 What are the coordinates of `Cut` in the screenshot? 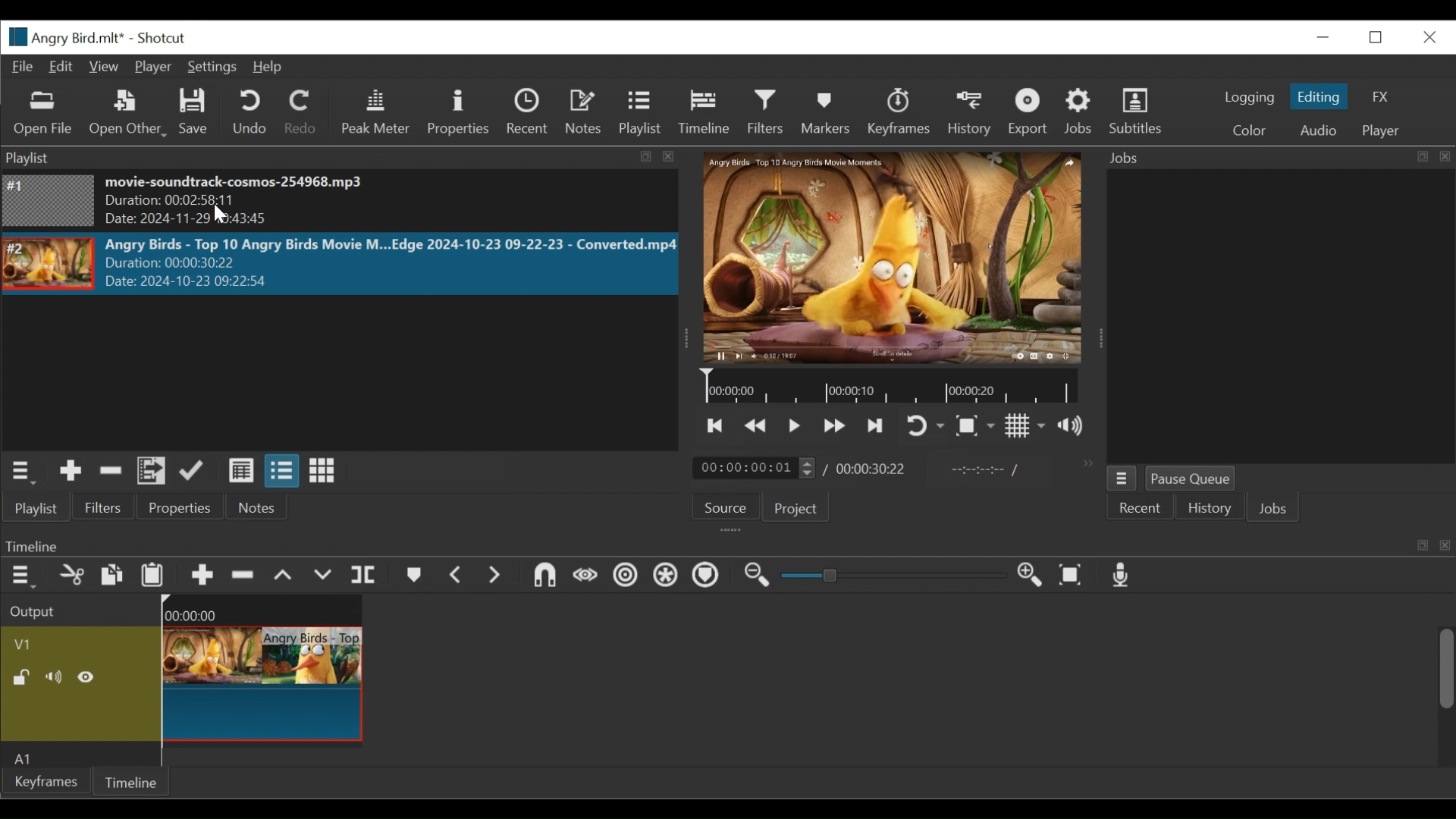 It's located at (71, 576).